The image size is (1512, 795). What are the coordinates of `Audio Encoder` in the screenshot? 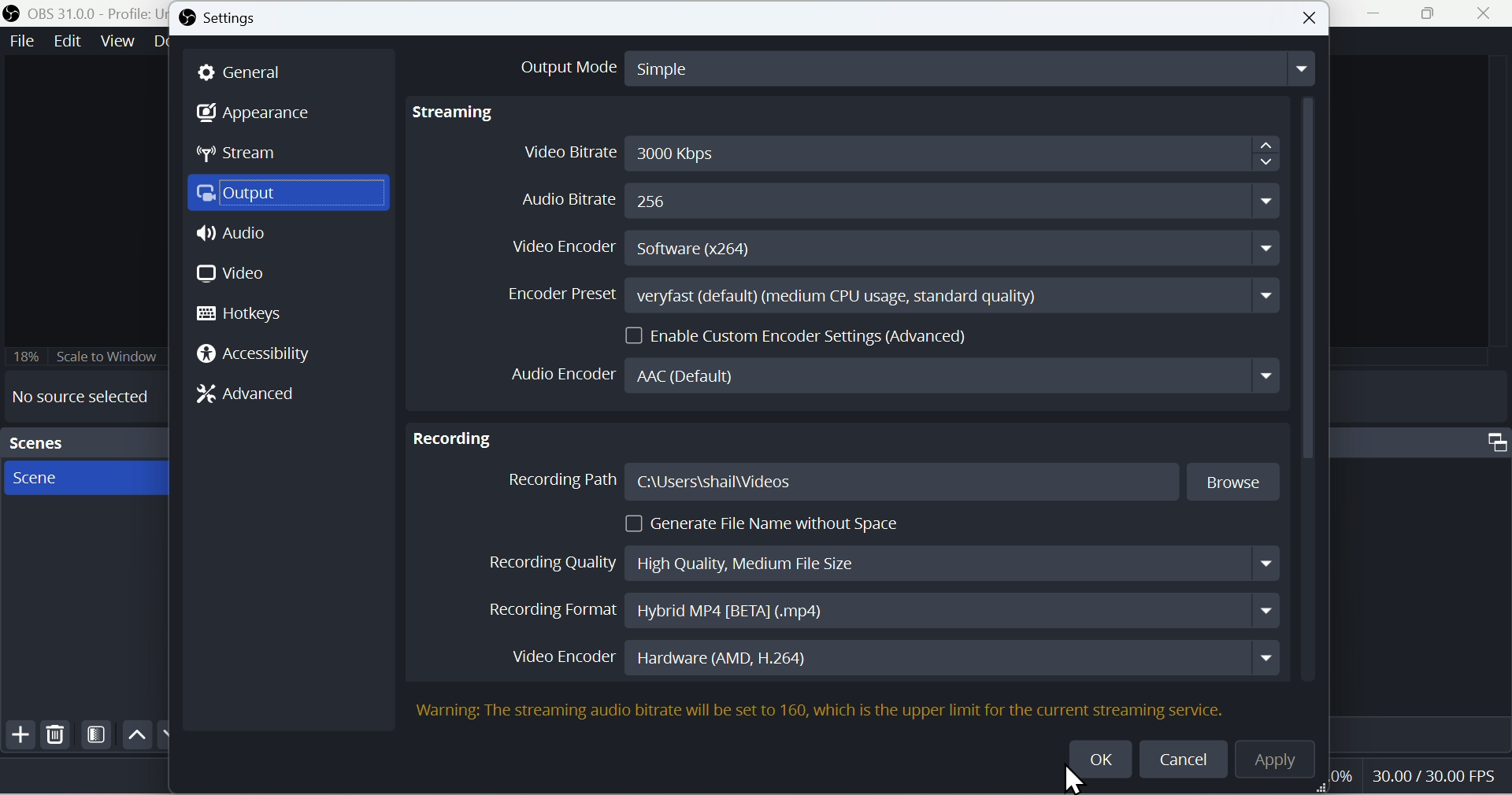 It's located at (892, 375).